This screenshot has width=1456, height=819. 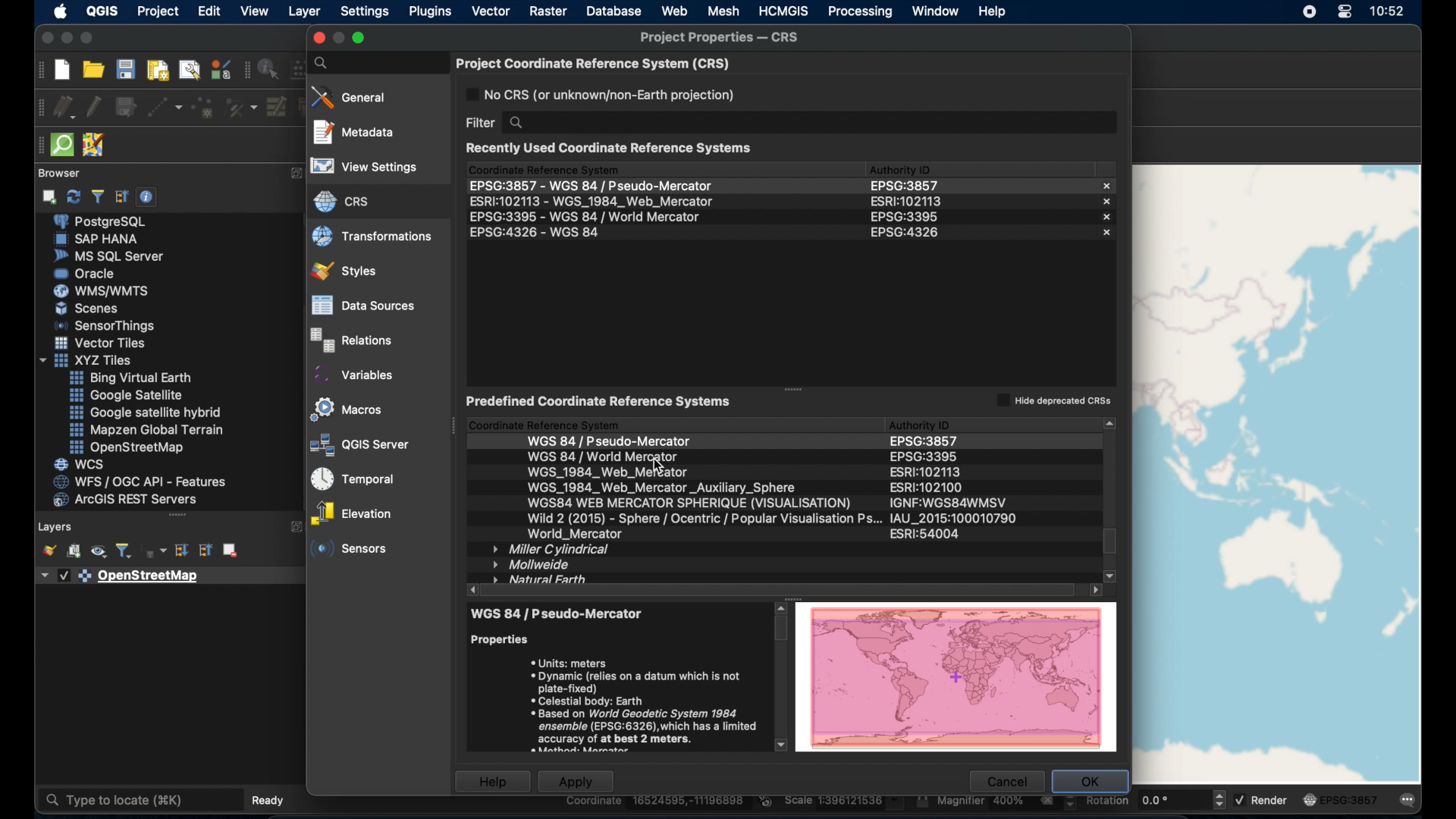 I want to click on mapzen global terrain, so click(x=149, y=431).